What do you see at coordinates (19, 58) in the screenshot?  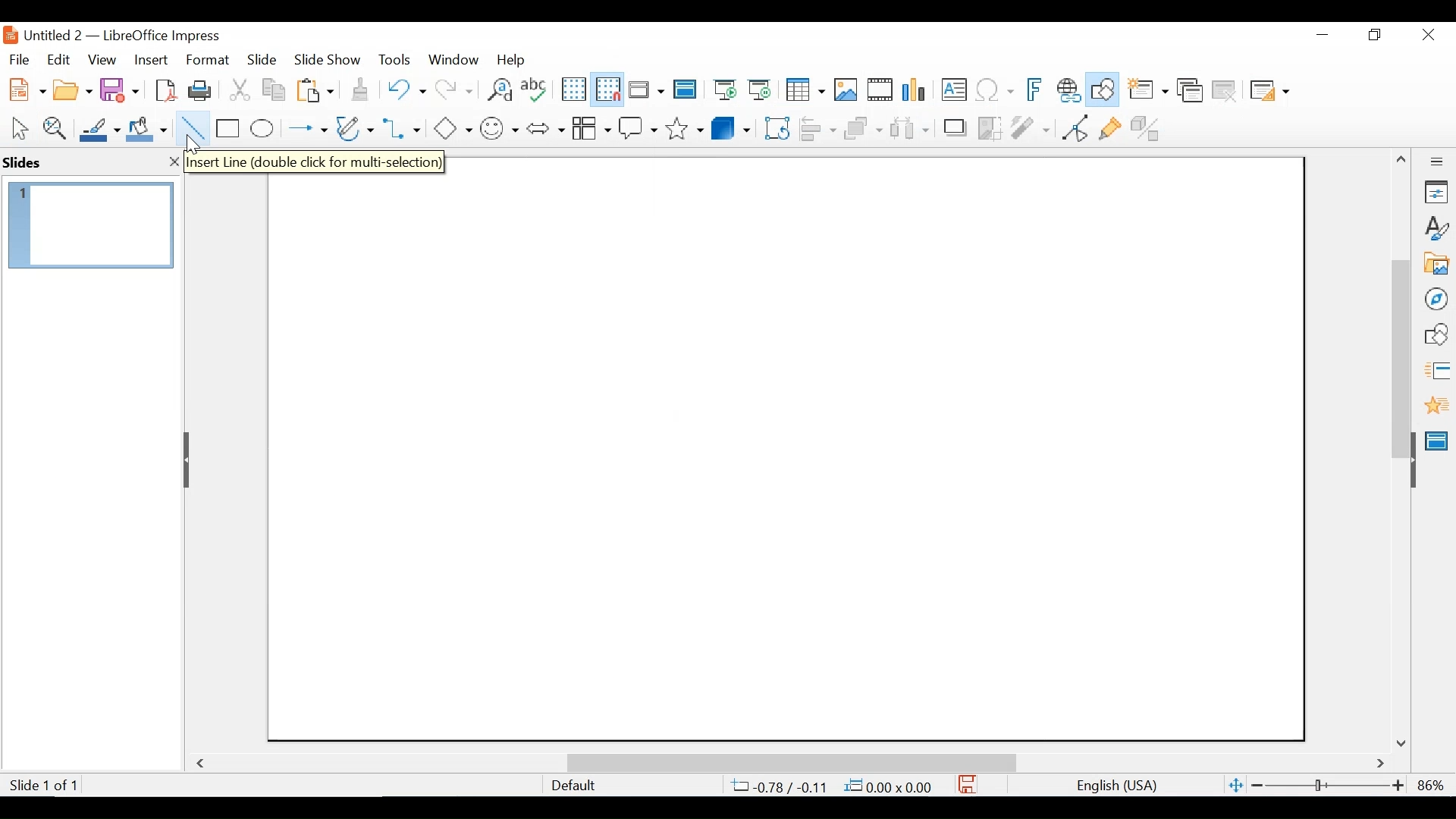 I see `File` at bounding box center [19, 58].